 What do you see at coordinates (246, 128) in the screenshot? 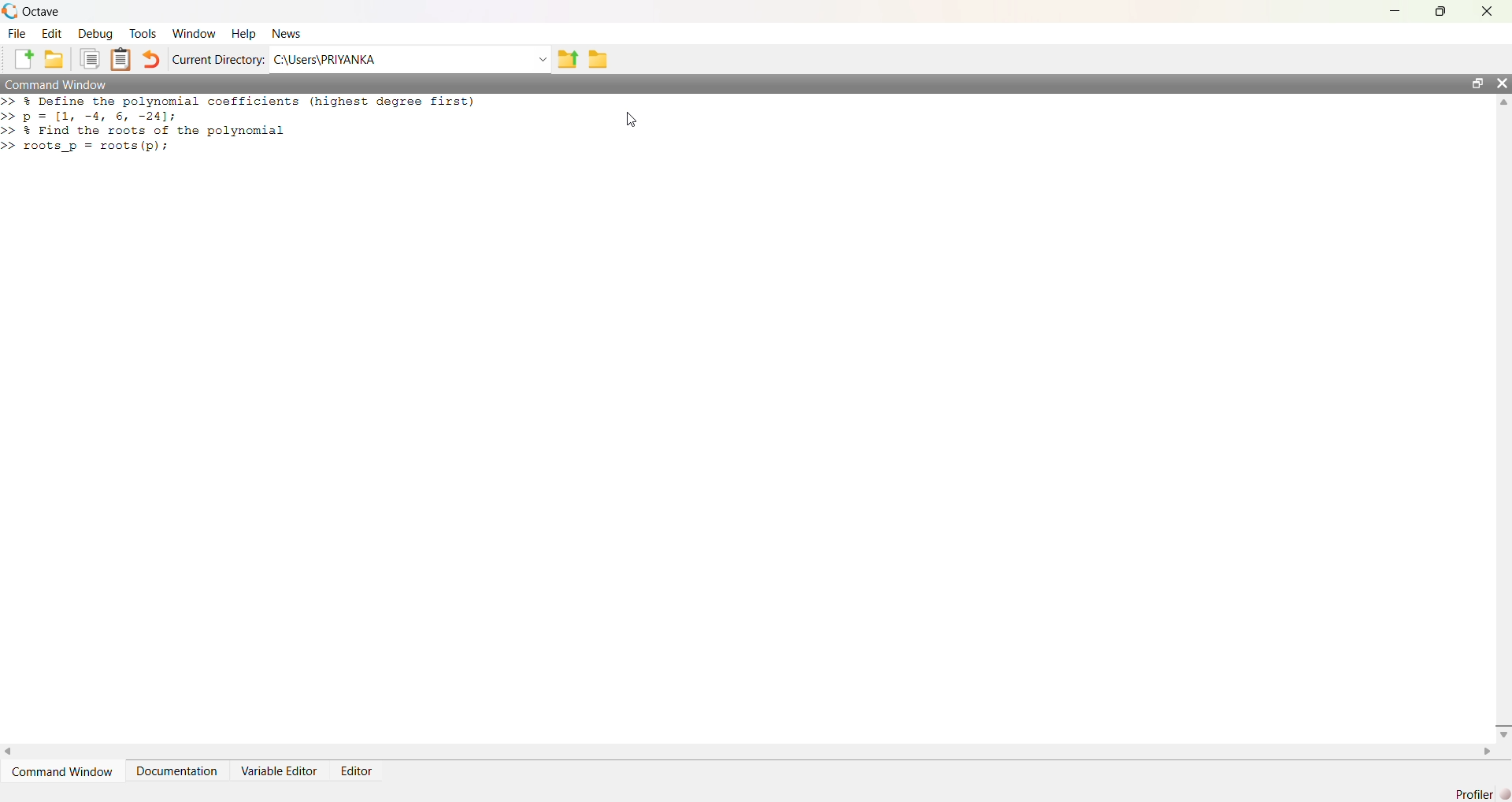
I see `>> Define the polynomial coefficients (highest degree first)= 1, -4, 6 -24];Find the roots of the polynomialoots_p = roots (p);` at bounding box center [246, 128].